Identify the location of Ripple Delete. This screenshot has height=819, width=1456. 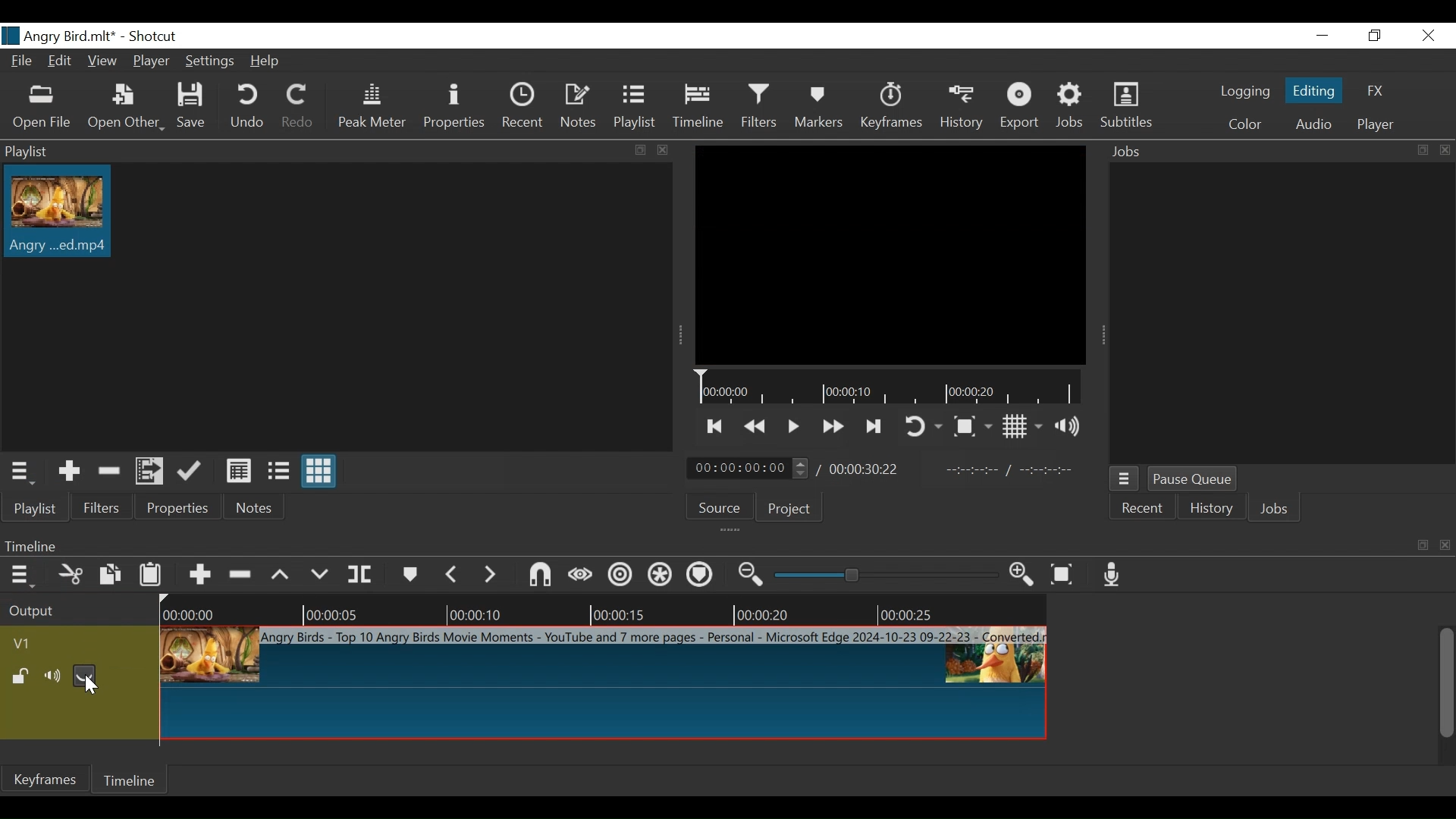
(239, 575).